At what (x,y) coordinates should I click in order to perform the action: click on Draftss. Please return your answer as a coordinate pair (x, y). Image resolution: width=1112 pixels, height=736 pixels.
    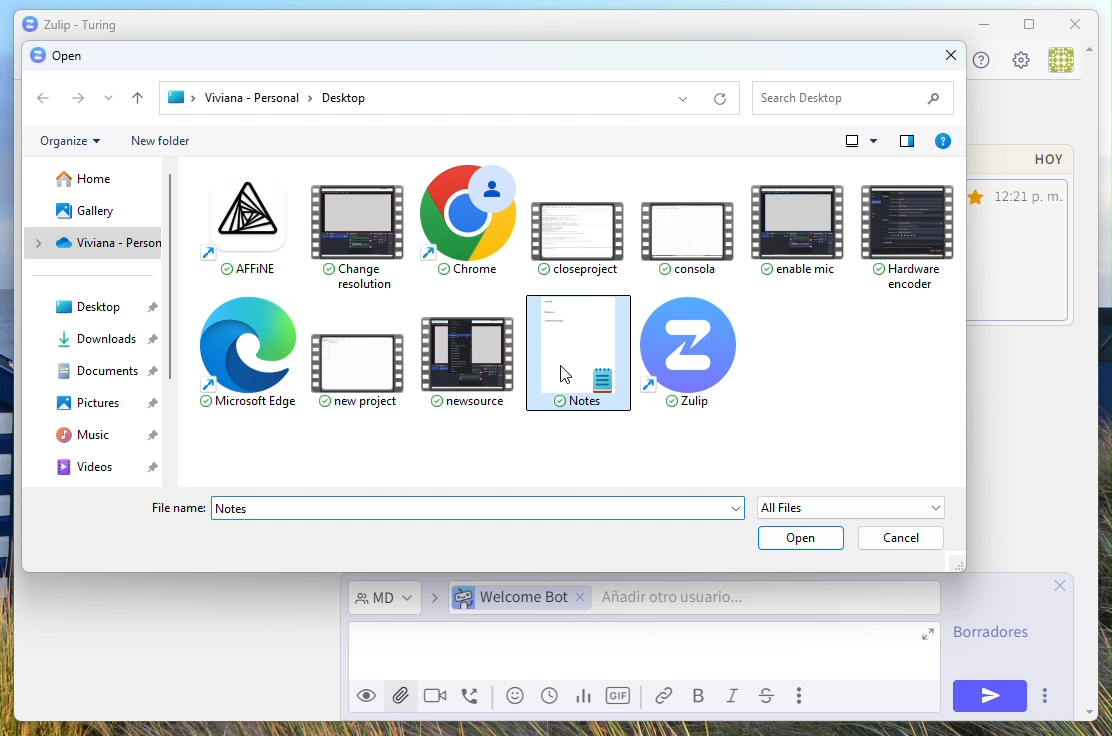
    Looking at the image, I should click on (997, 635).